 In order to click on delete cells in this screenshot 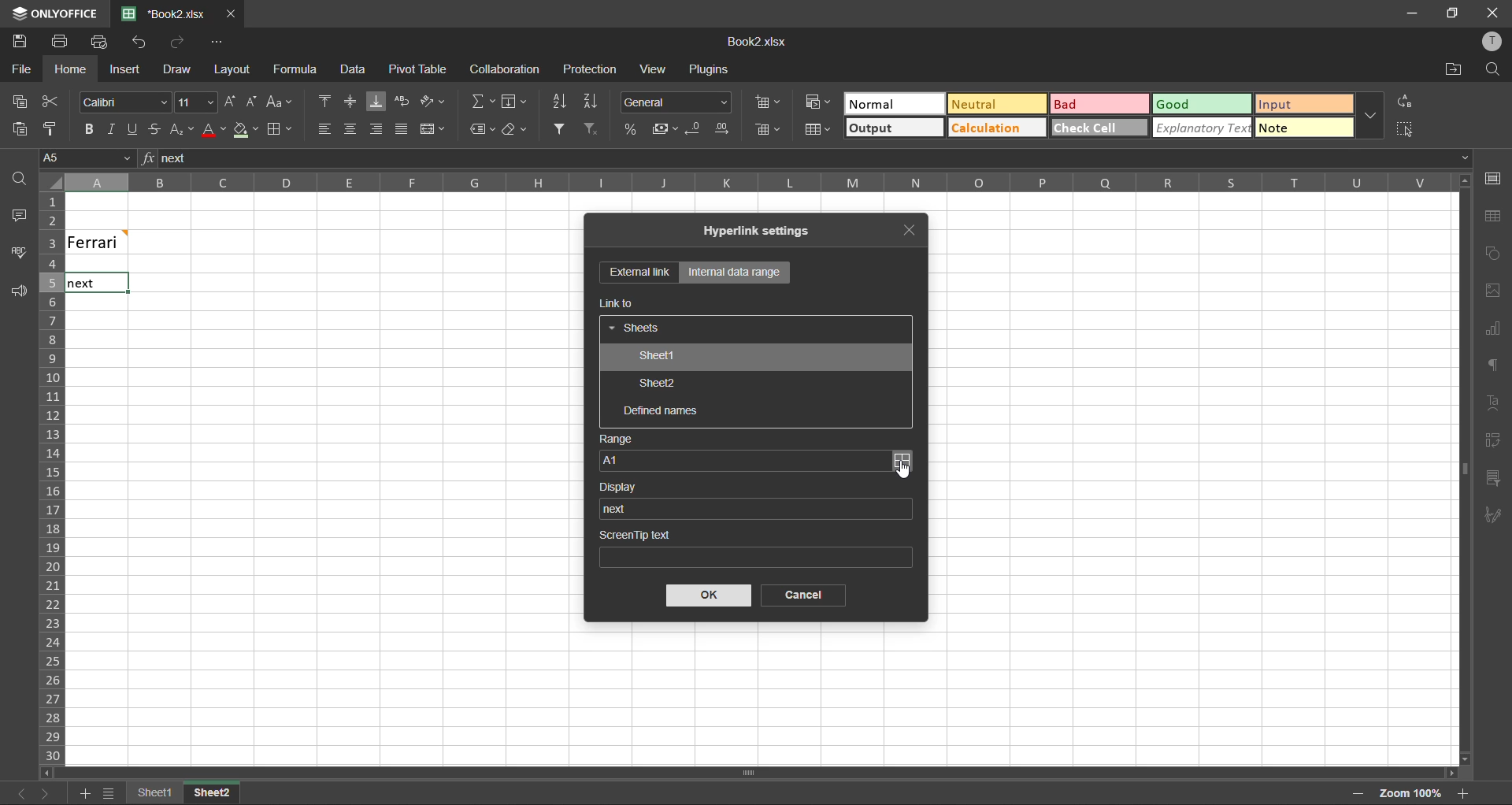, I will do `click(770, 129)`.